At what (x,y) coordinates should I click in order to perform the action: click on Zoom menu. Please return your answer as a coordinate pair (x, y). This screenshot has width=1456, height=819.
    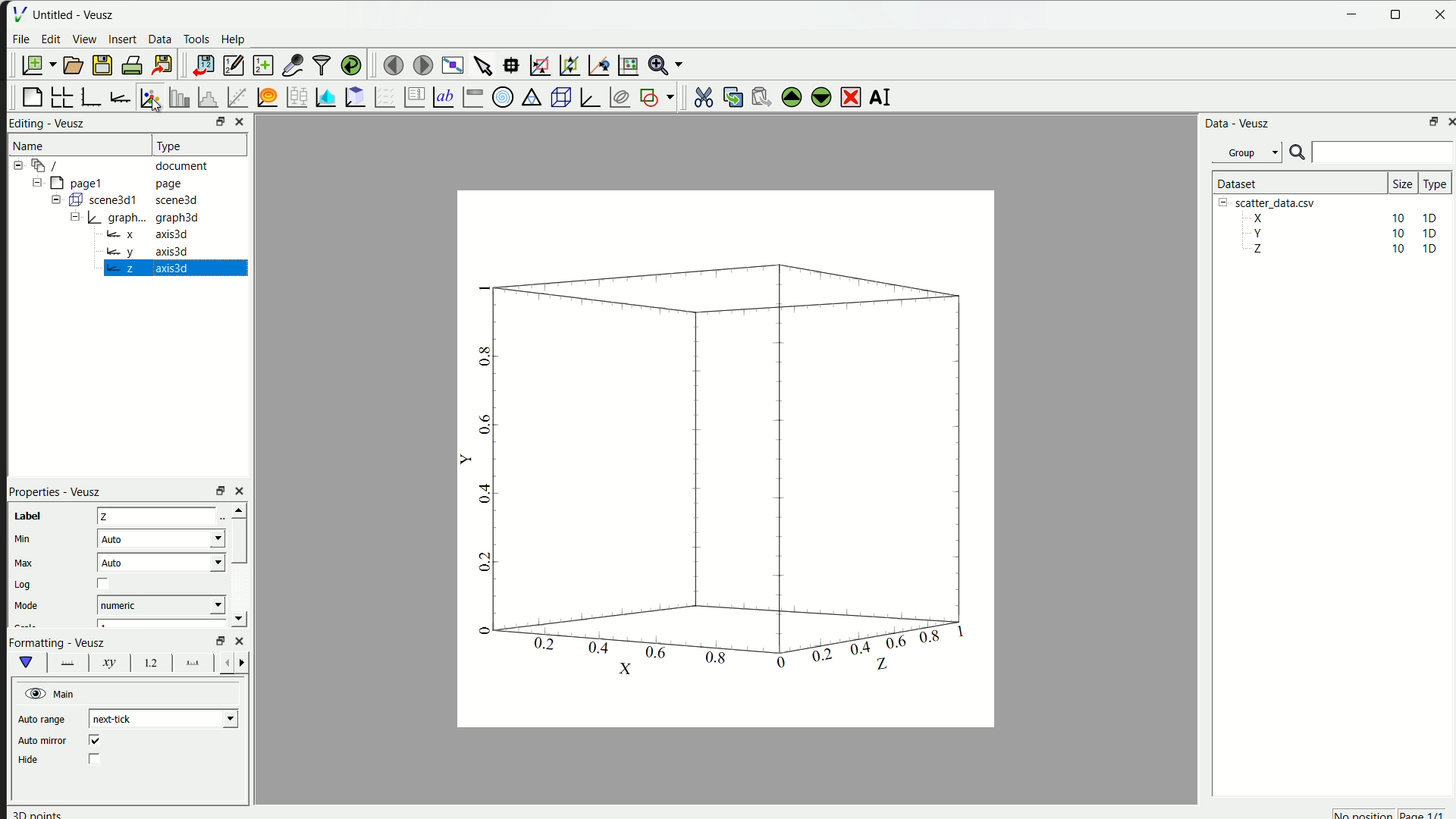
    Looking at the image, I should click on (664, 64).